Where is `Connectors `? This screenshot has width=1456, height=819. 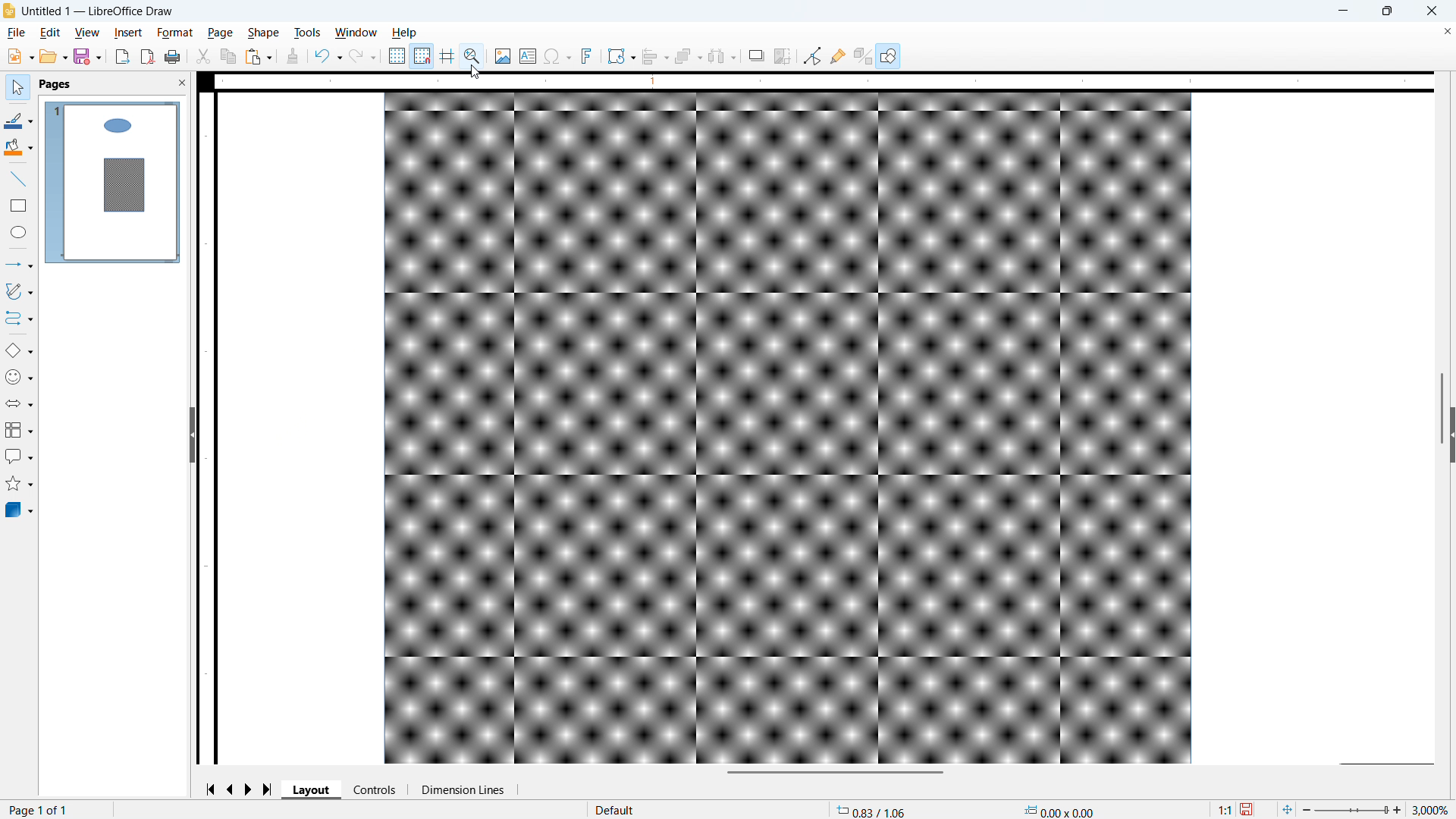
Connectors  is located at coordinates (19, 318).